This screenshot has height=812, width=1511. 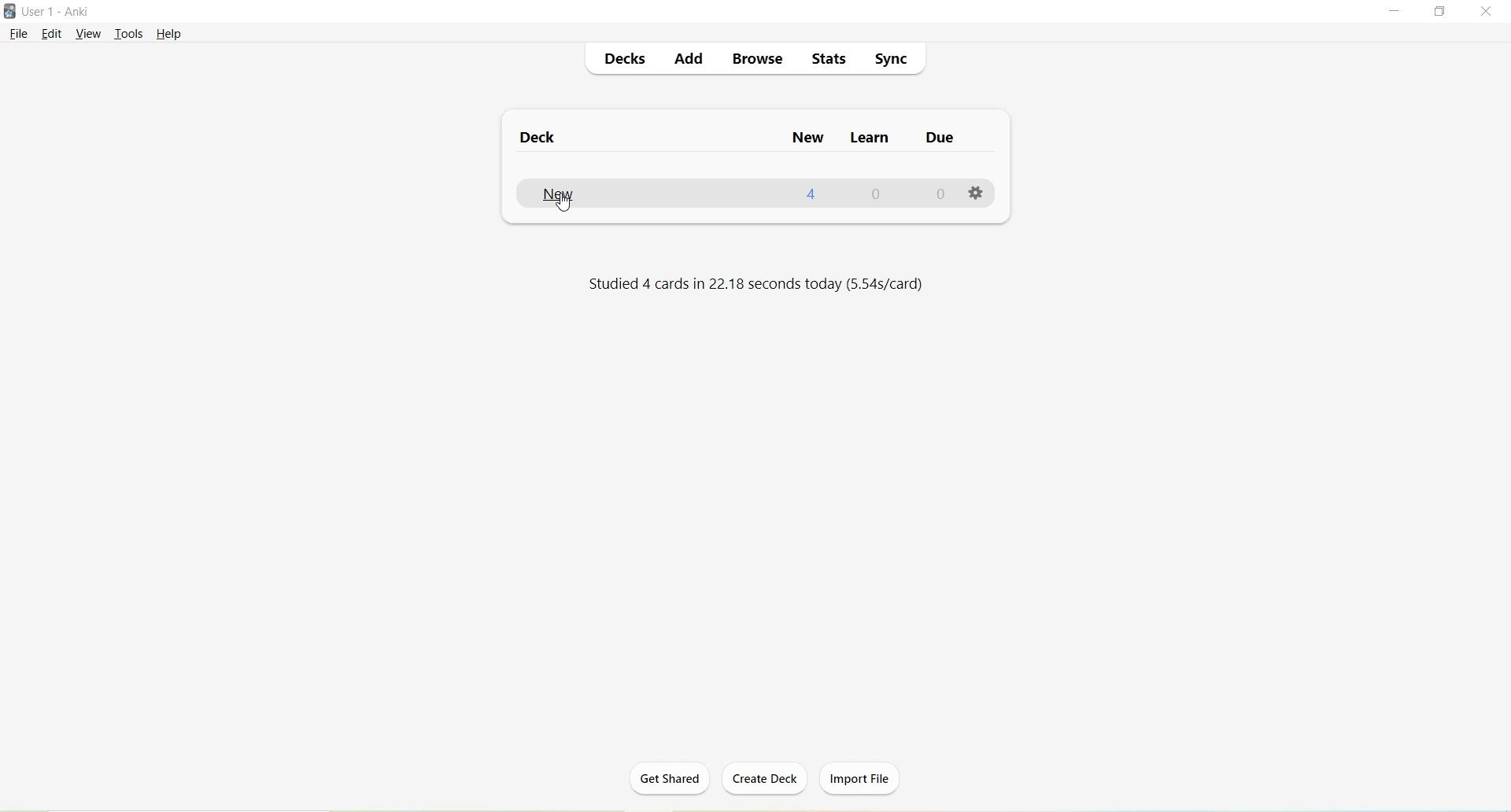 I want to click on Help, so click(x=170, y=35).